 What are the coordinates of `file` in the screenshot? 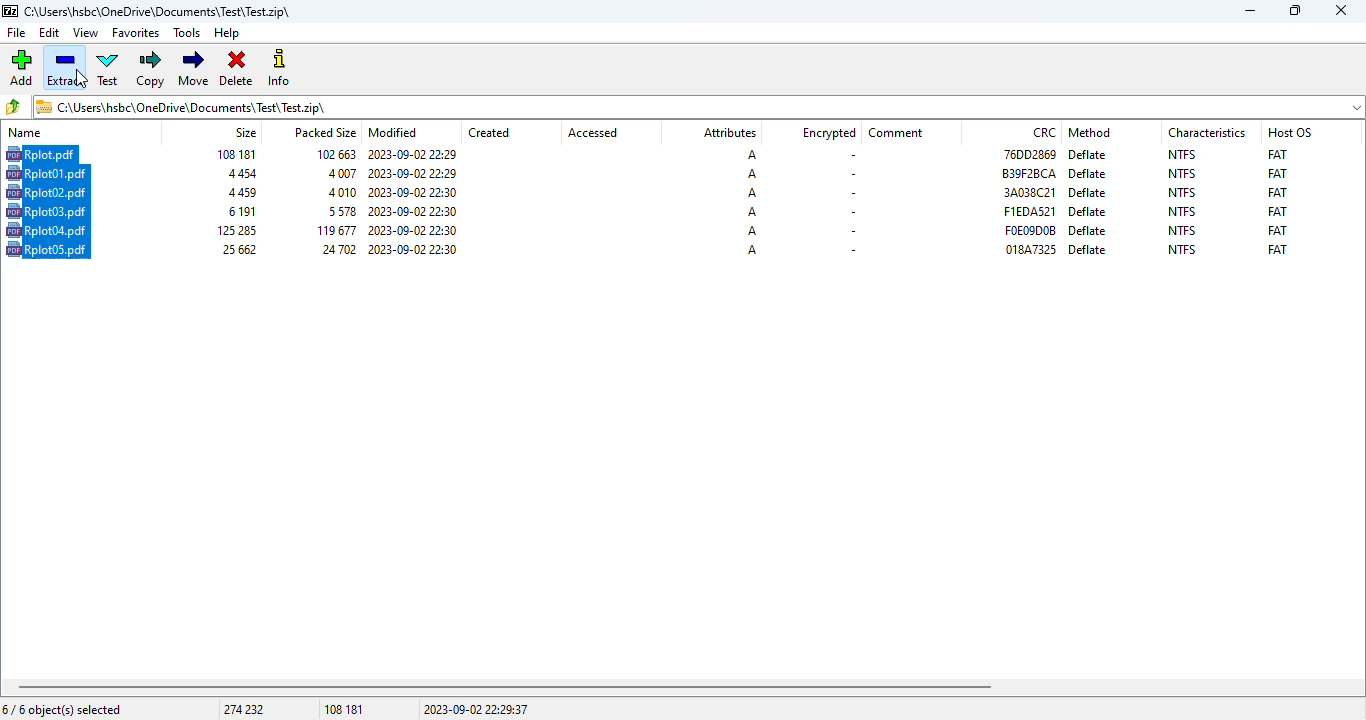 It's located at (46, 248).